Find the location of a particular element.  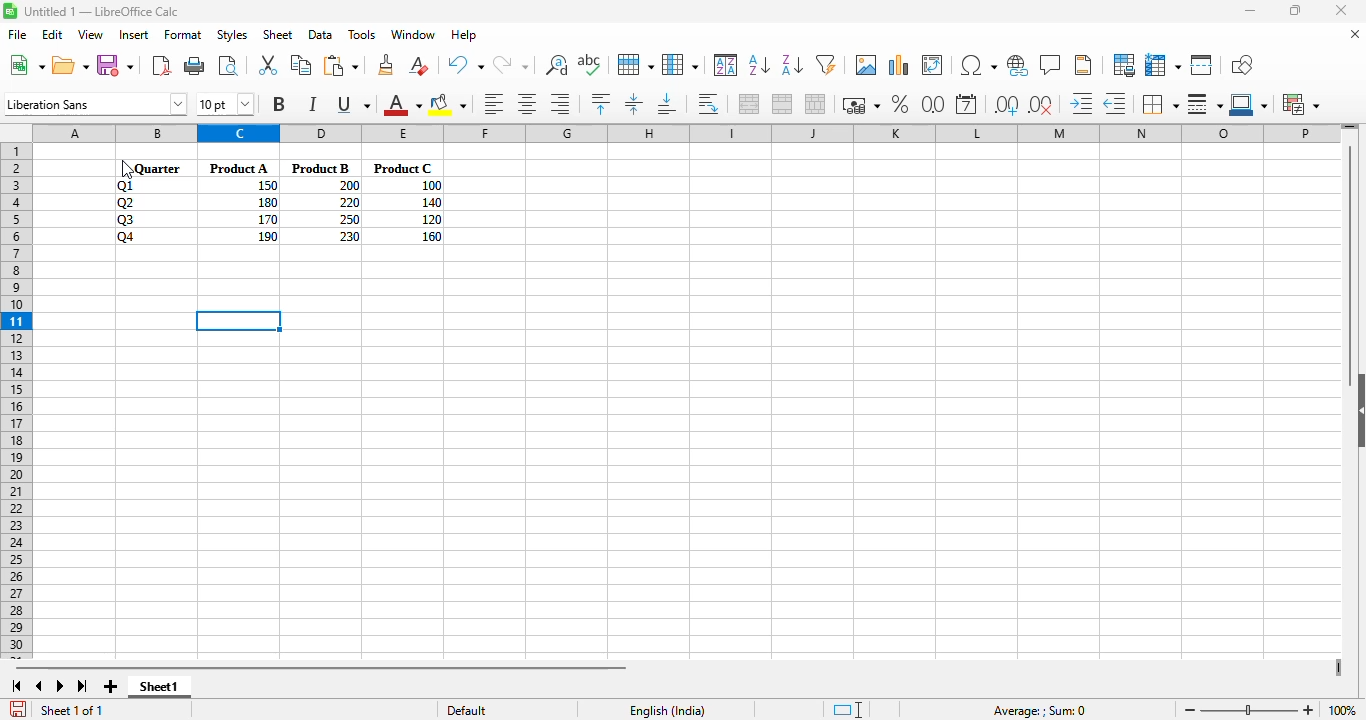

align bottom is located at coordinates (668, 104).